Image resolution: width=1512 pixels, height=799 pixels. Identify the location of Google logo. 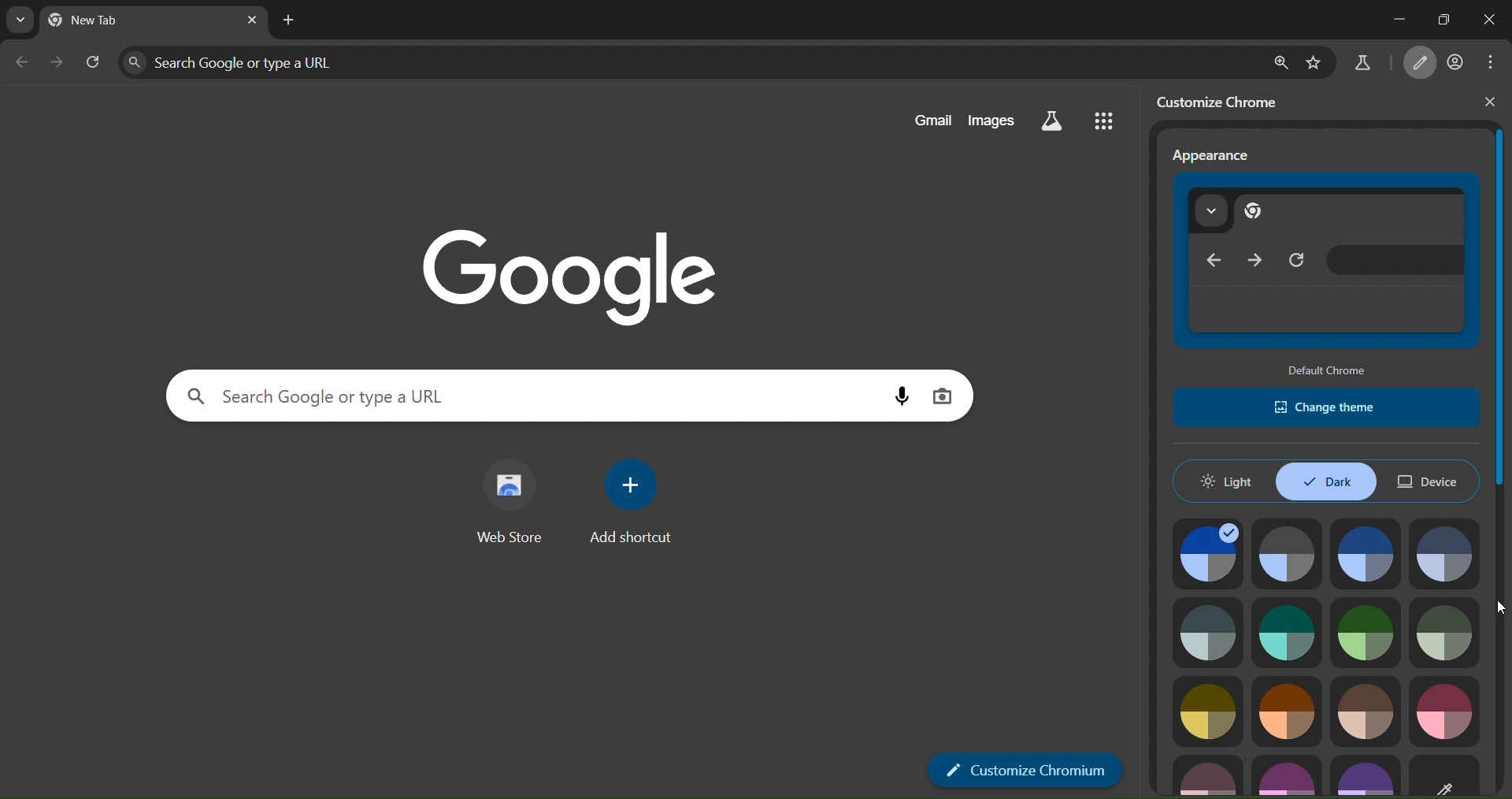
(551, 273).